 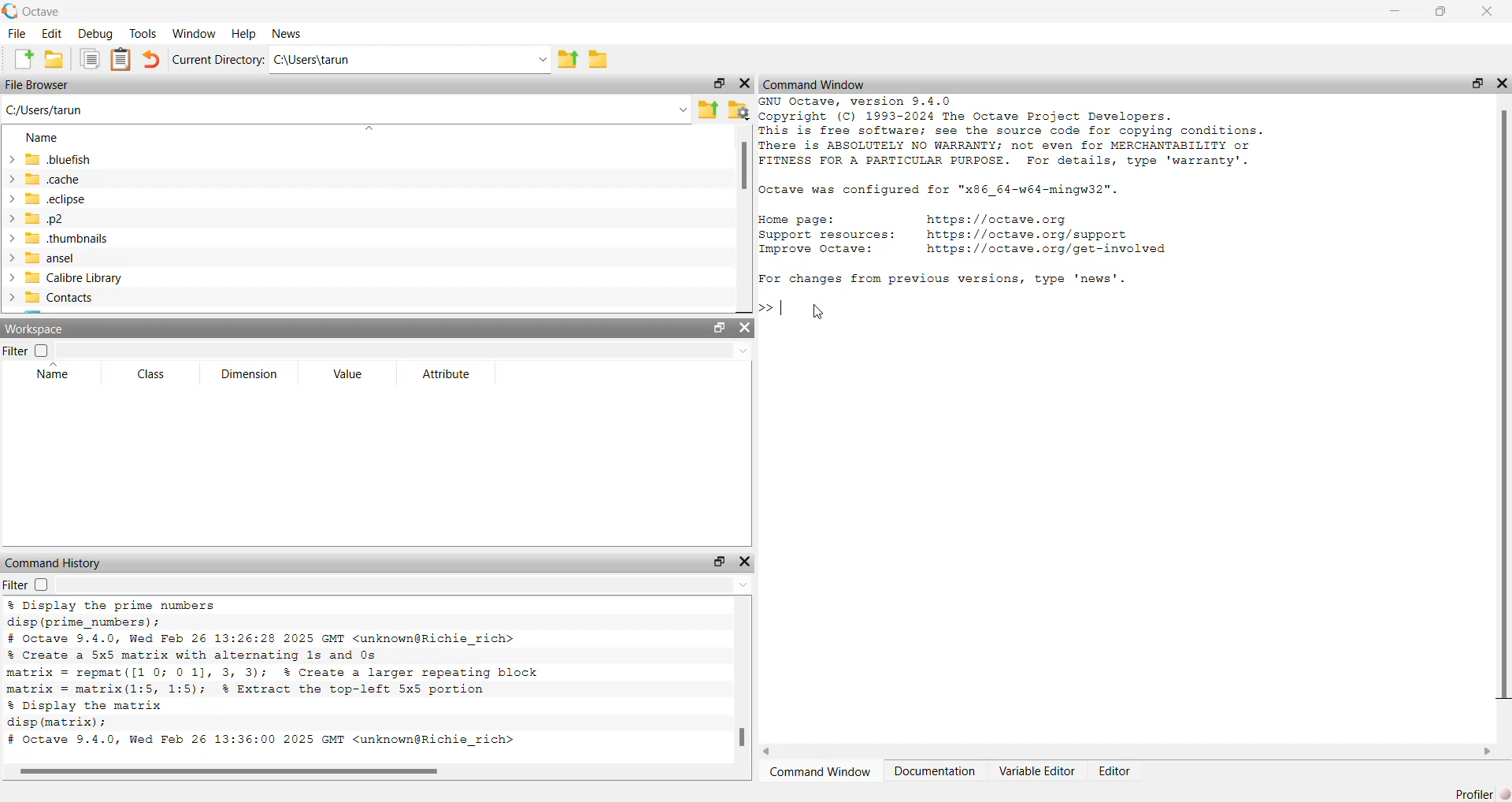 I want to click on scrollbar, so click(x=743, y=169).